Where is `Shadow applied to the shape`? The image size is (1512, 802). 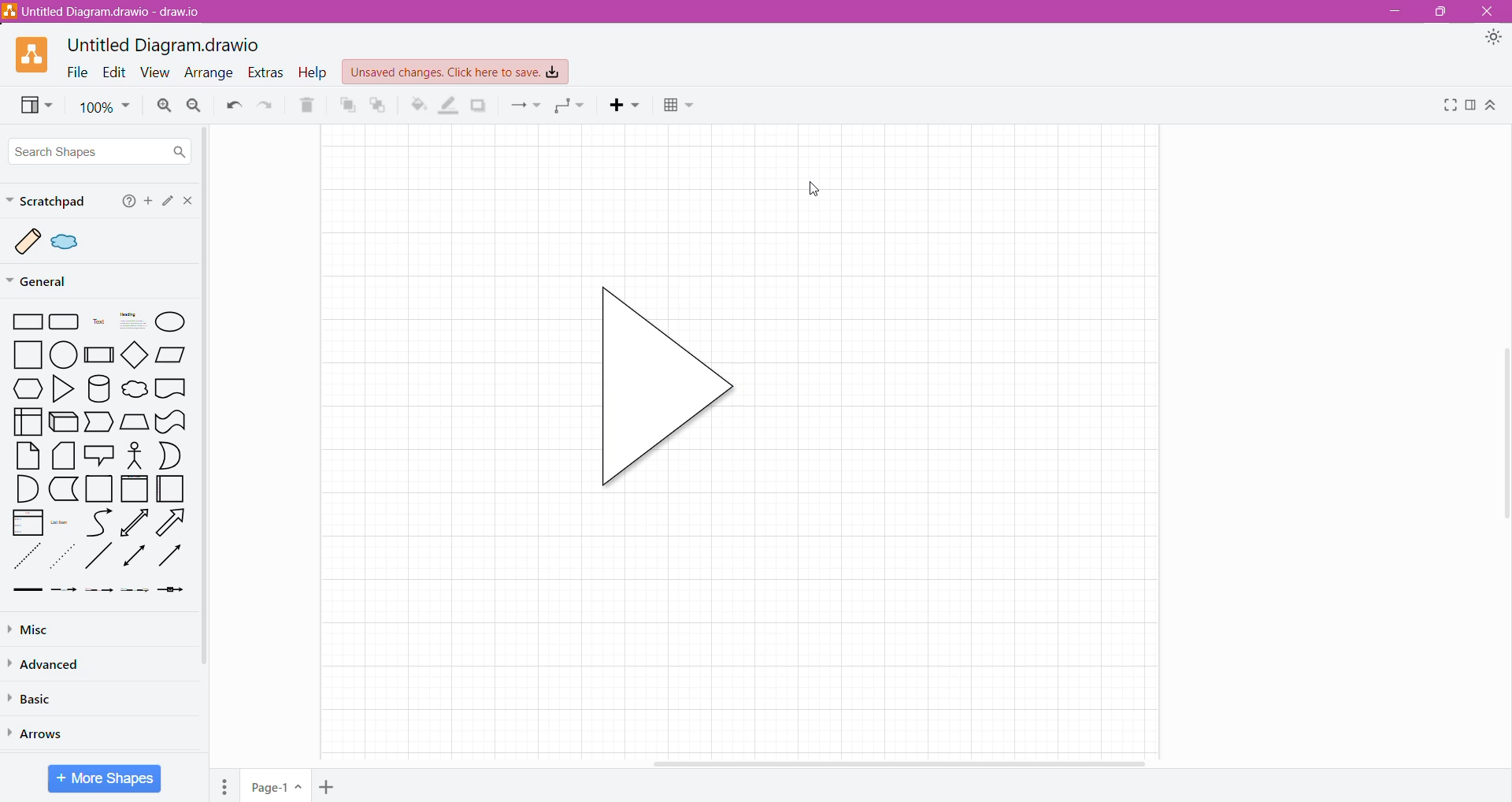 Shadow applied to the shape is located at coordinates (660, 388).